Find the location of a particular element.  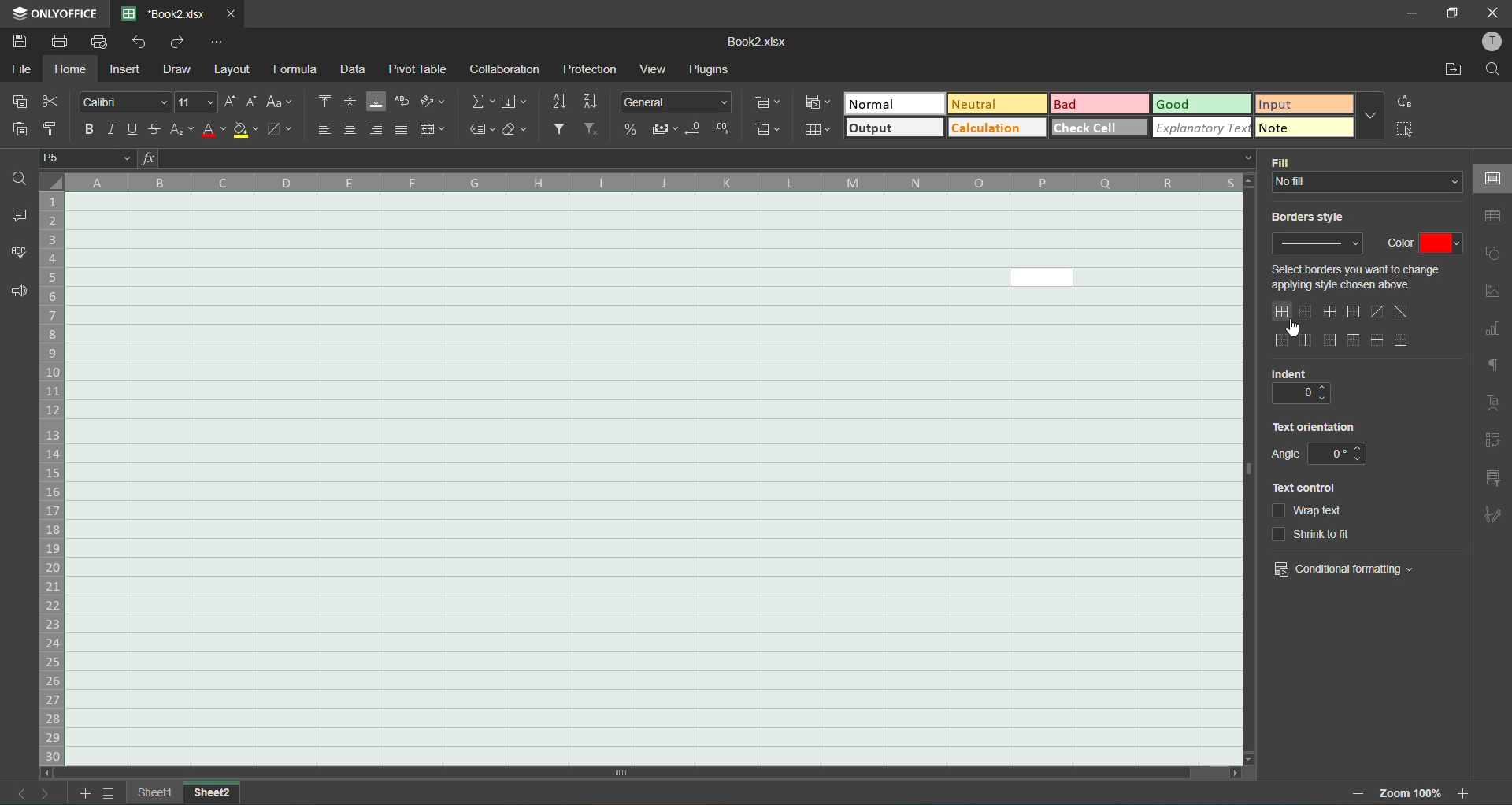

charts is located at coordinates (1495, 330).